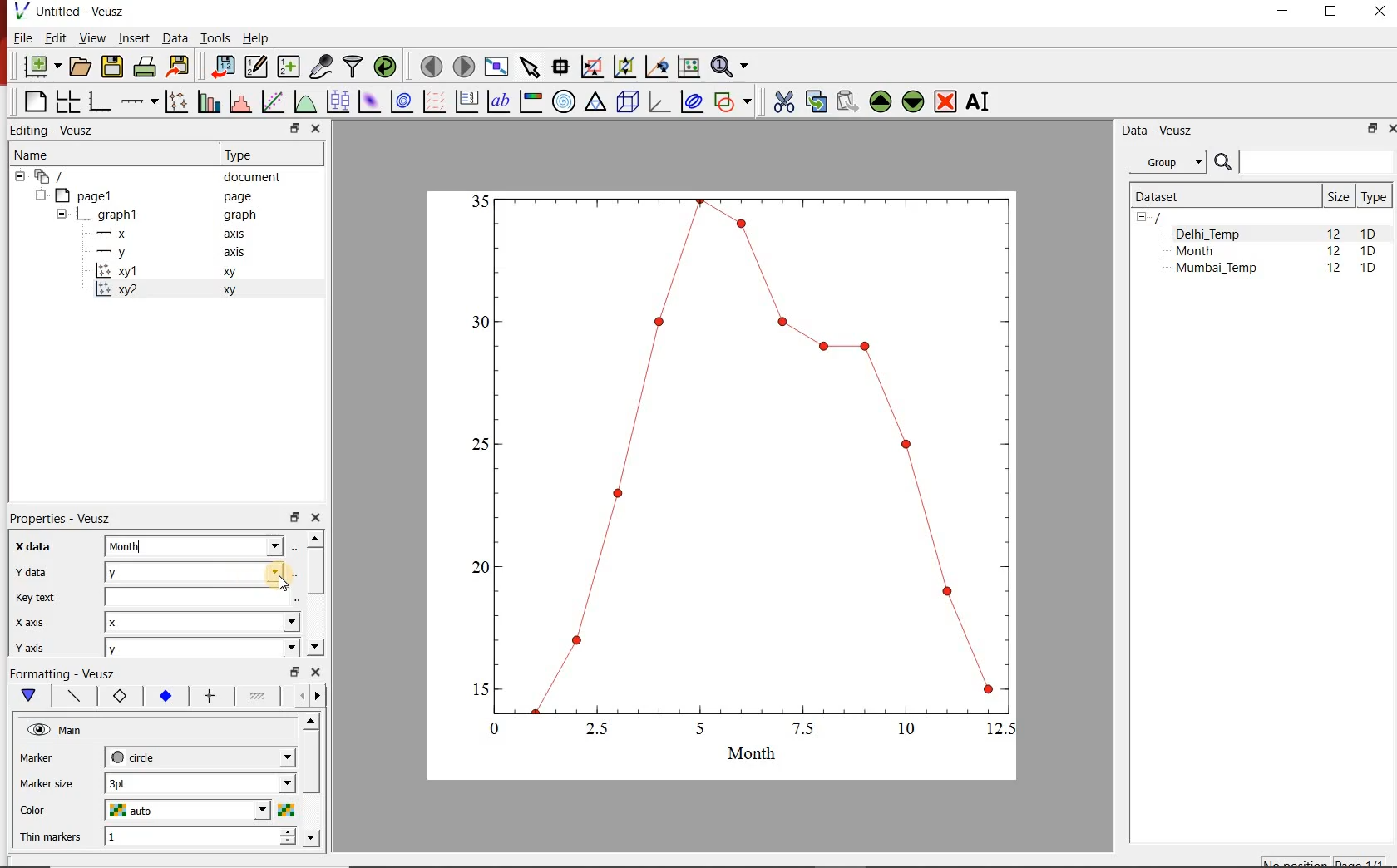 The image size is (1397, 868). I want to click on 12, so click(1334, 253).